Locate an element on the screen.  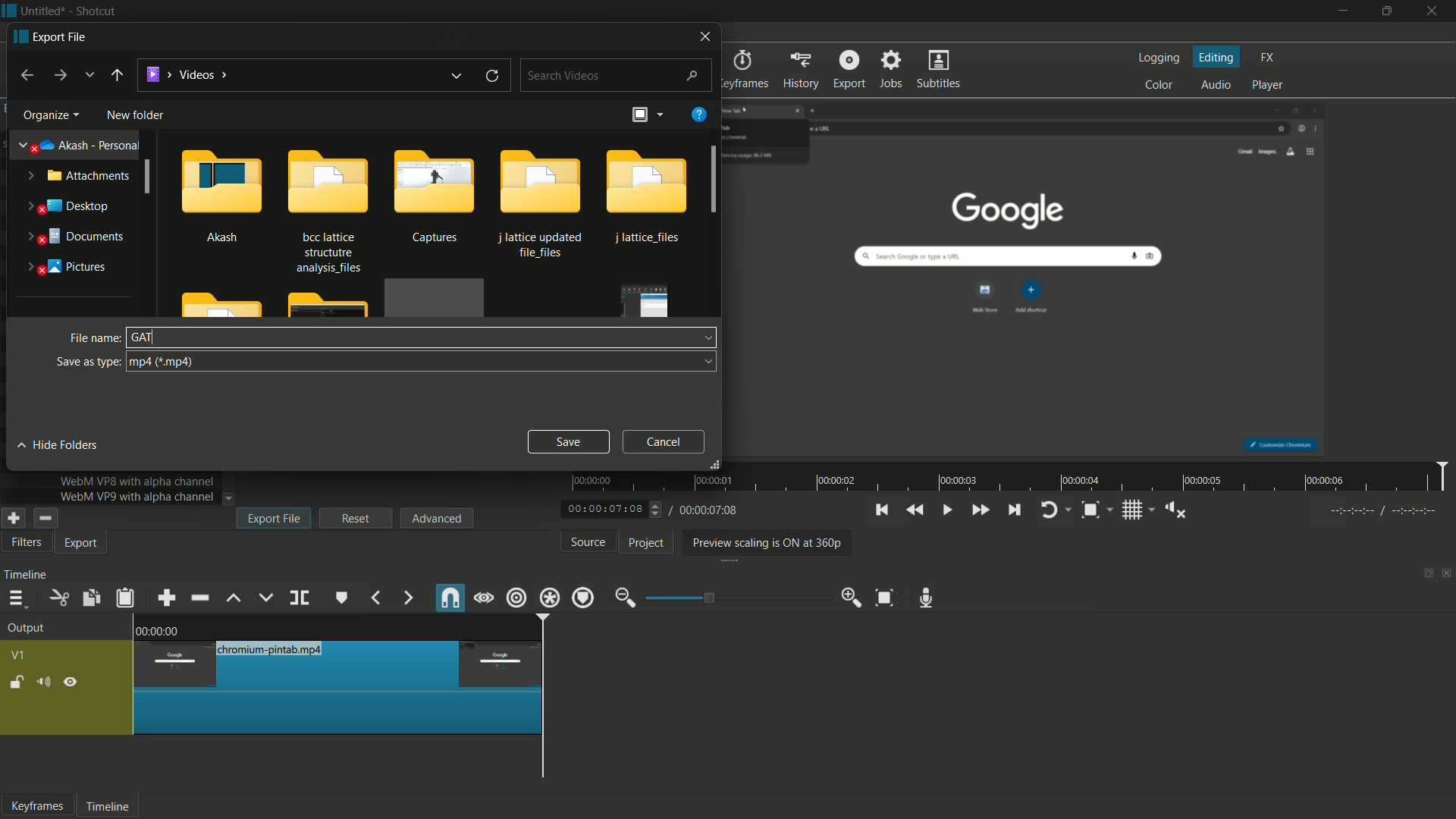
preview video is located at coordinates (1031, 275).